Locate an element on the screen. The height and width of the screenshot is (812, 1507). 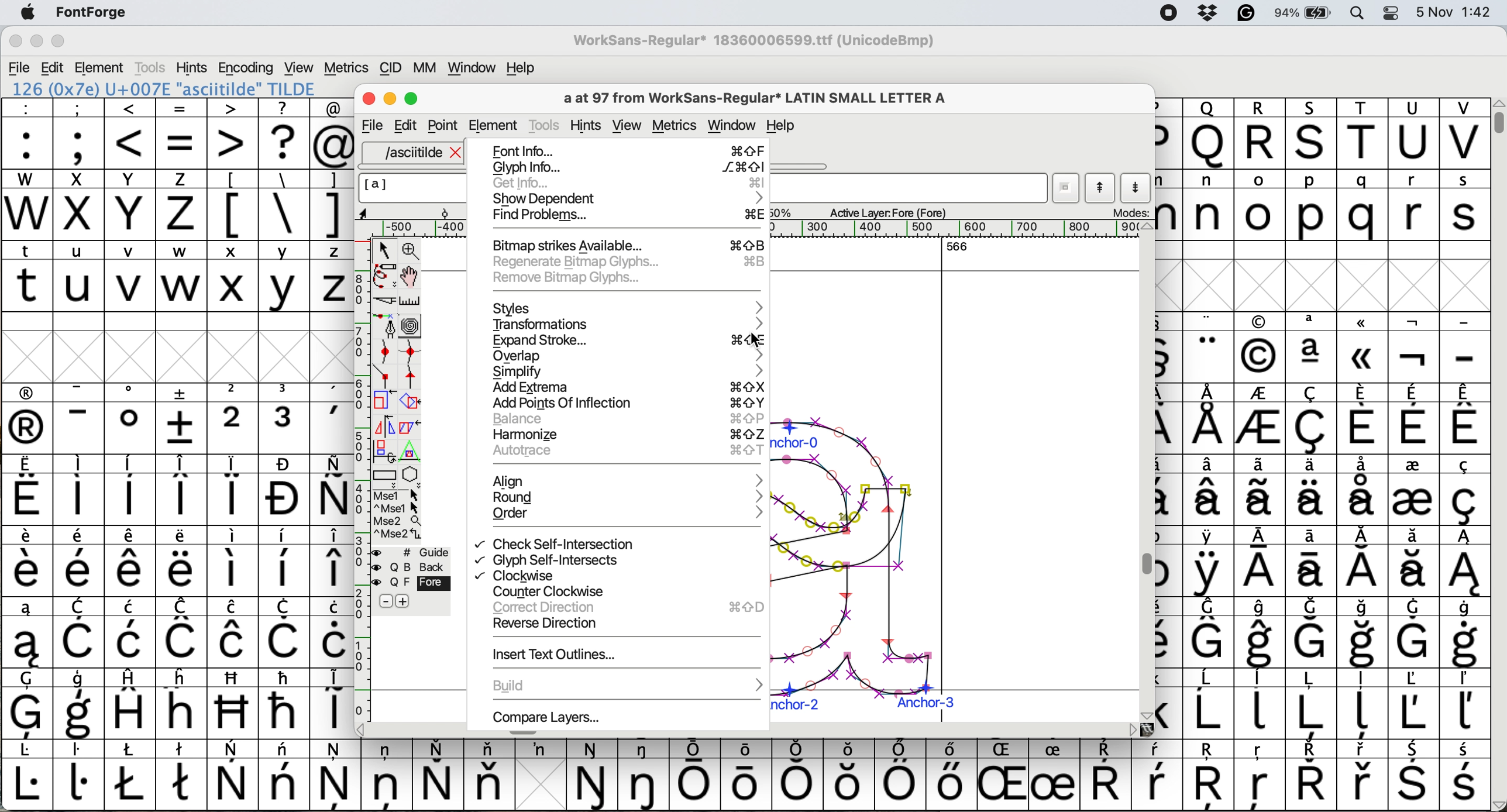
Background is located at coordinates (417, 567).